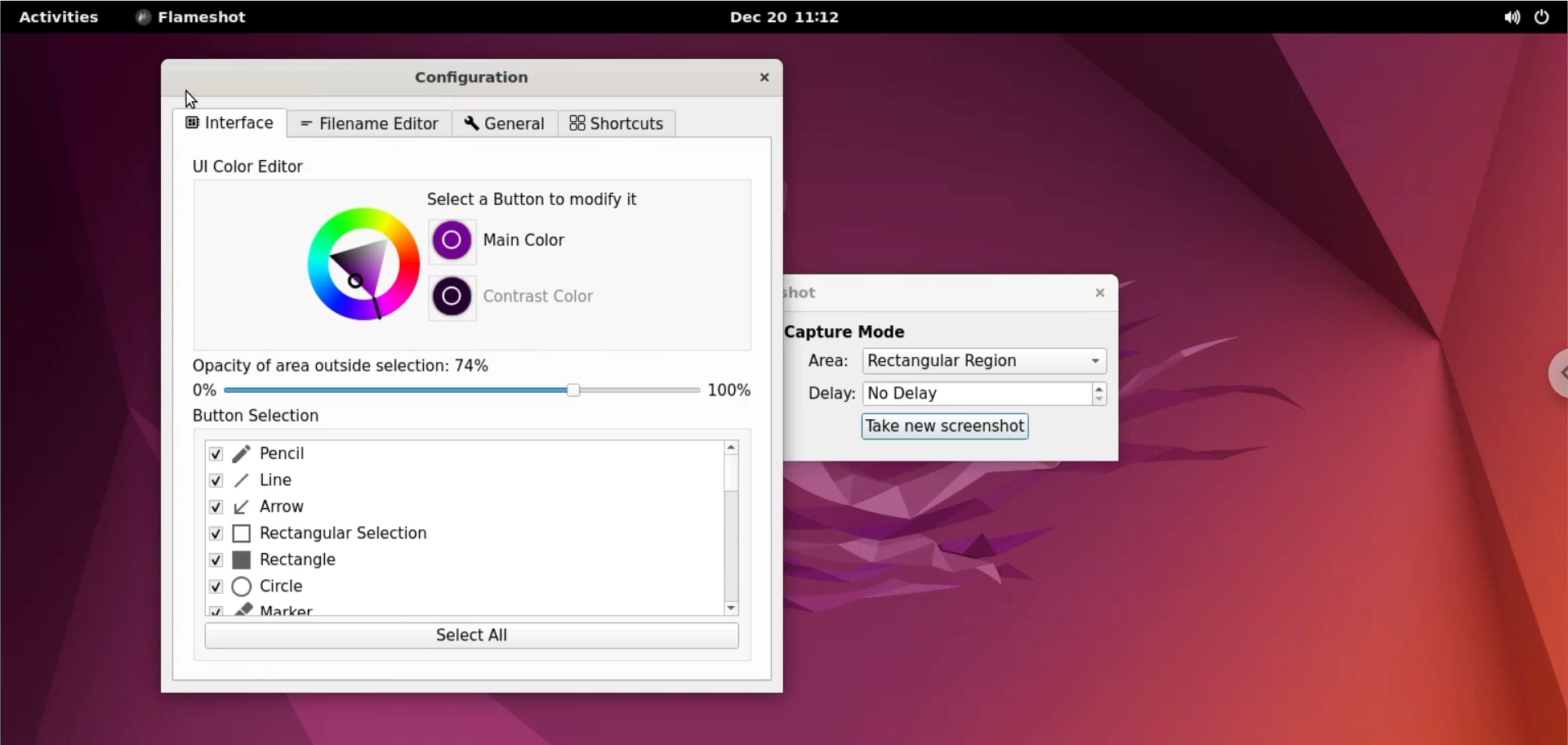 Image resolution: width=1568 pixels, height=745 pixels. I want to click on configuration , so click(488, 78).